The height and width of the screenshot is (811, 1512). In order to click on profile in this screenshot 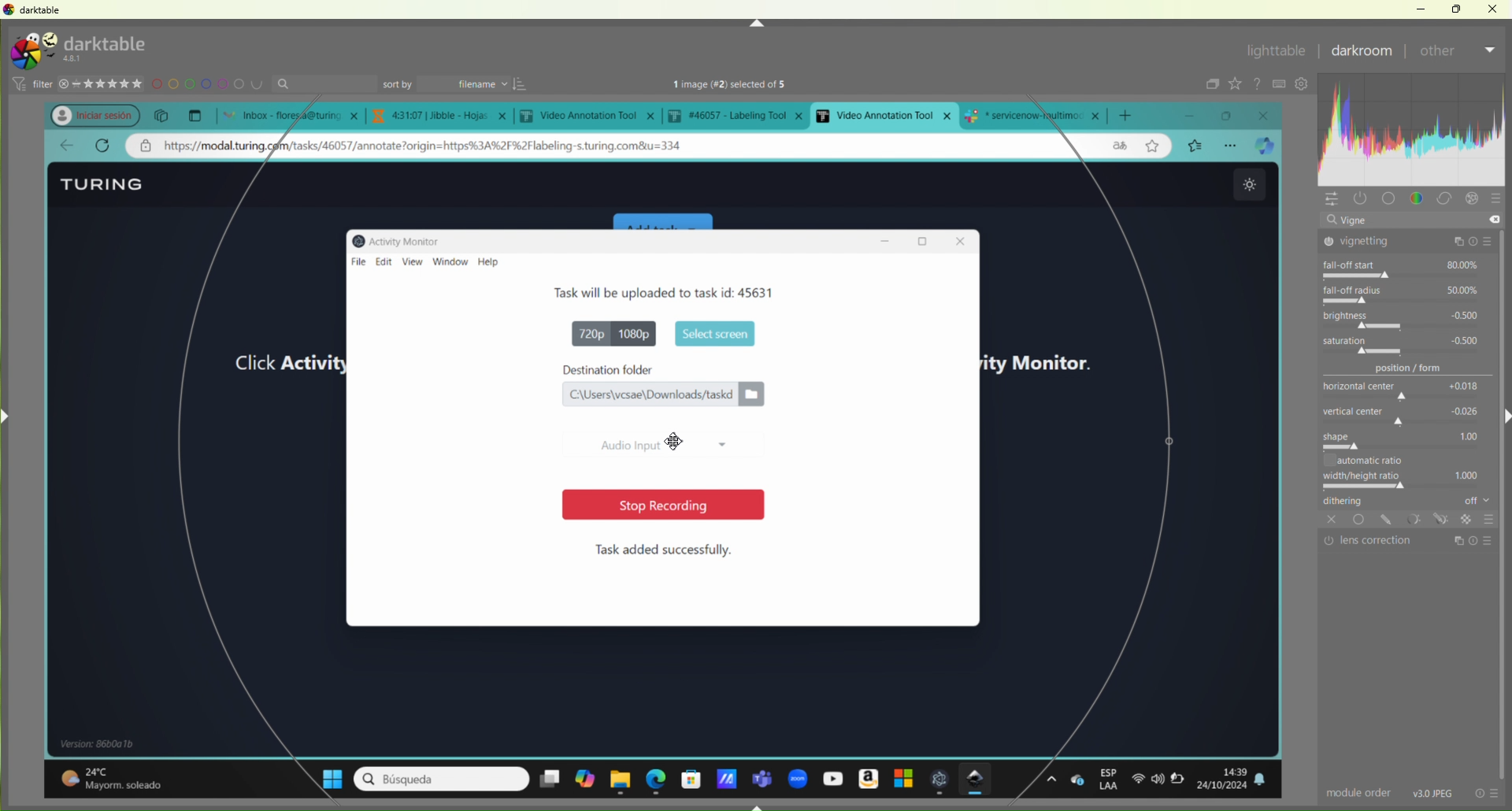, I will do `click(83, 114)`.